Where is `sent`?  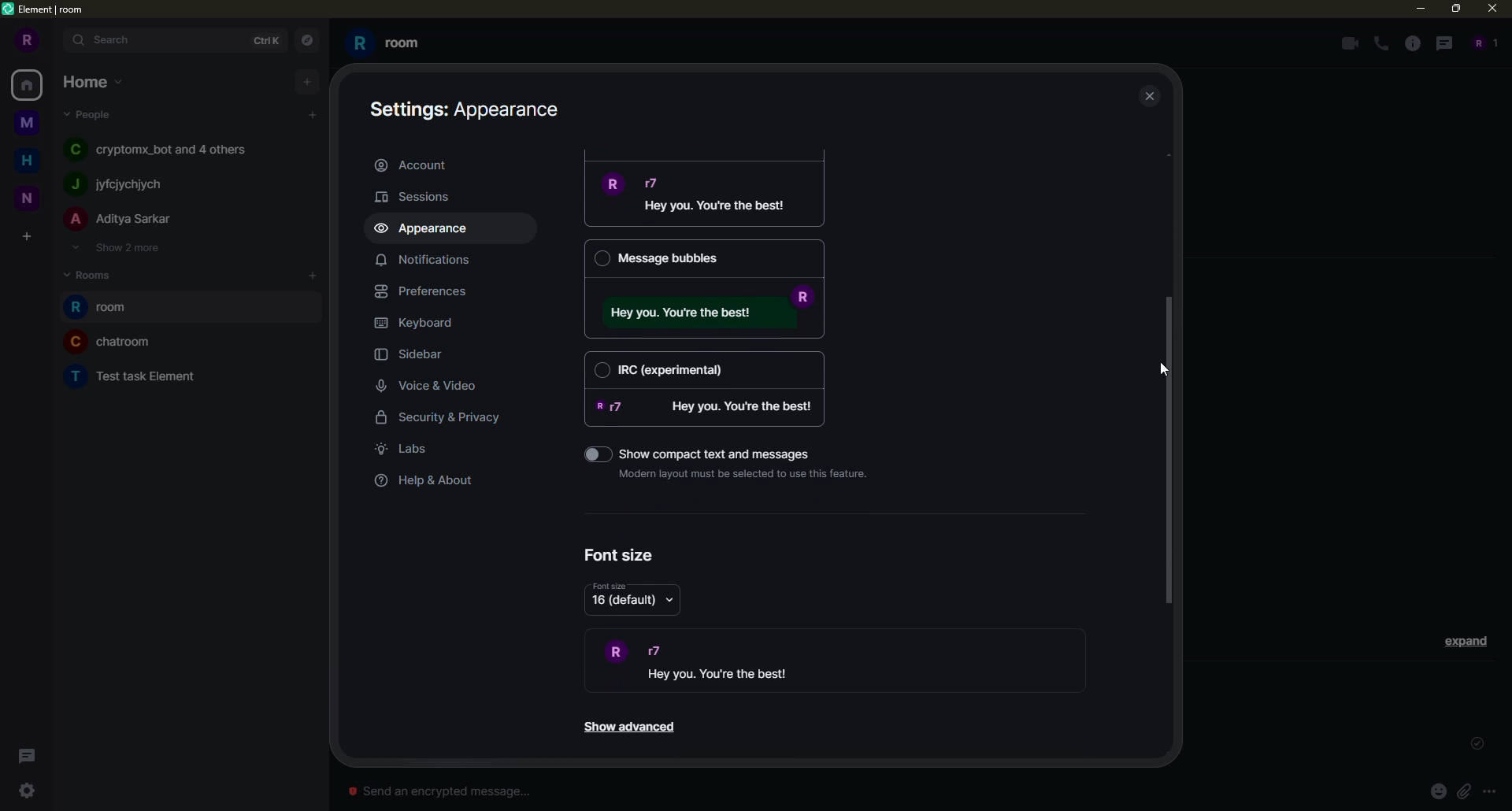 sent is located at coordinates (1474, 744).